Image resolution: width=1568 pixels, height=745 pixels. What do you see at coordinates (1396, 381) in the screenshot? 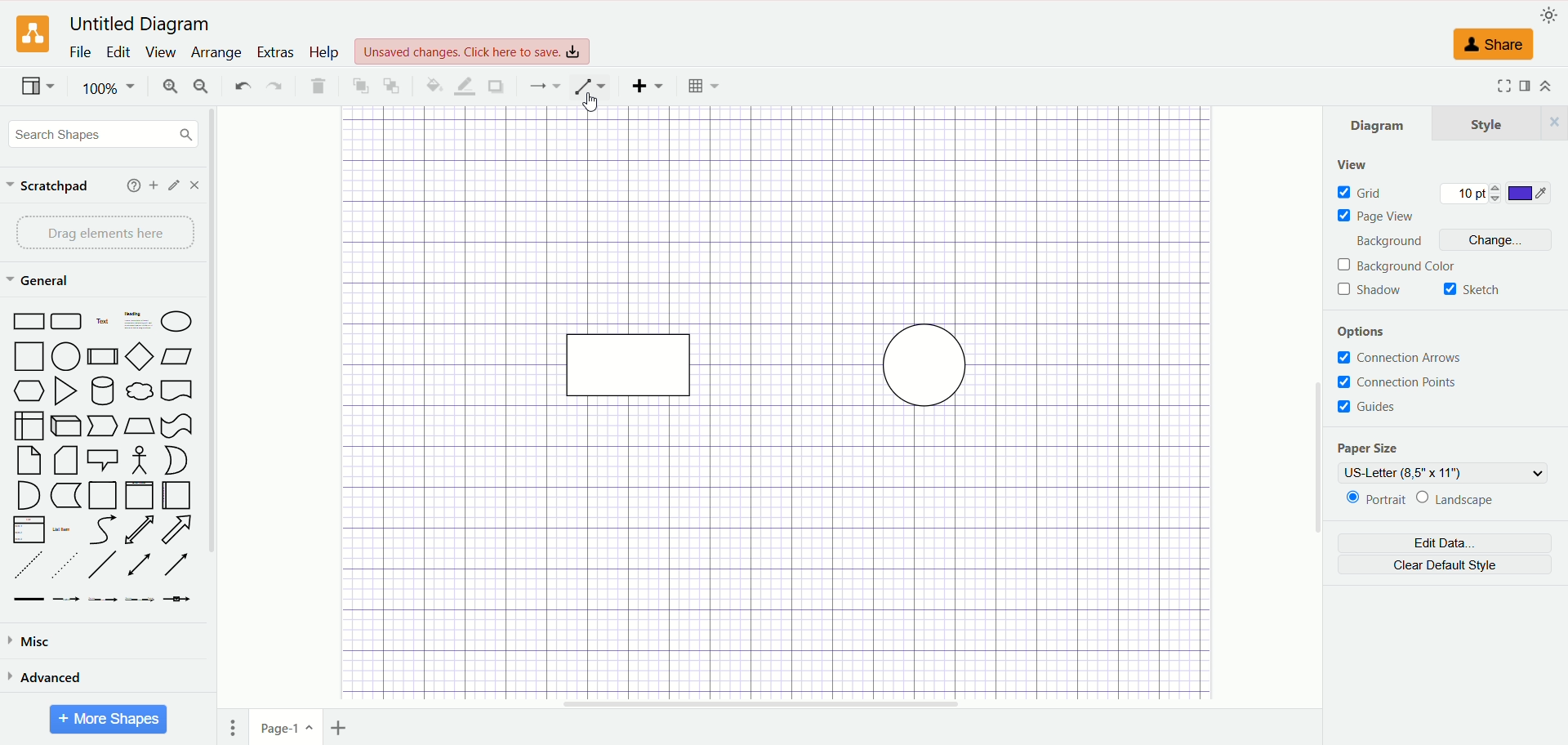
I see `connection points` at bounding box center [1396, 381].